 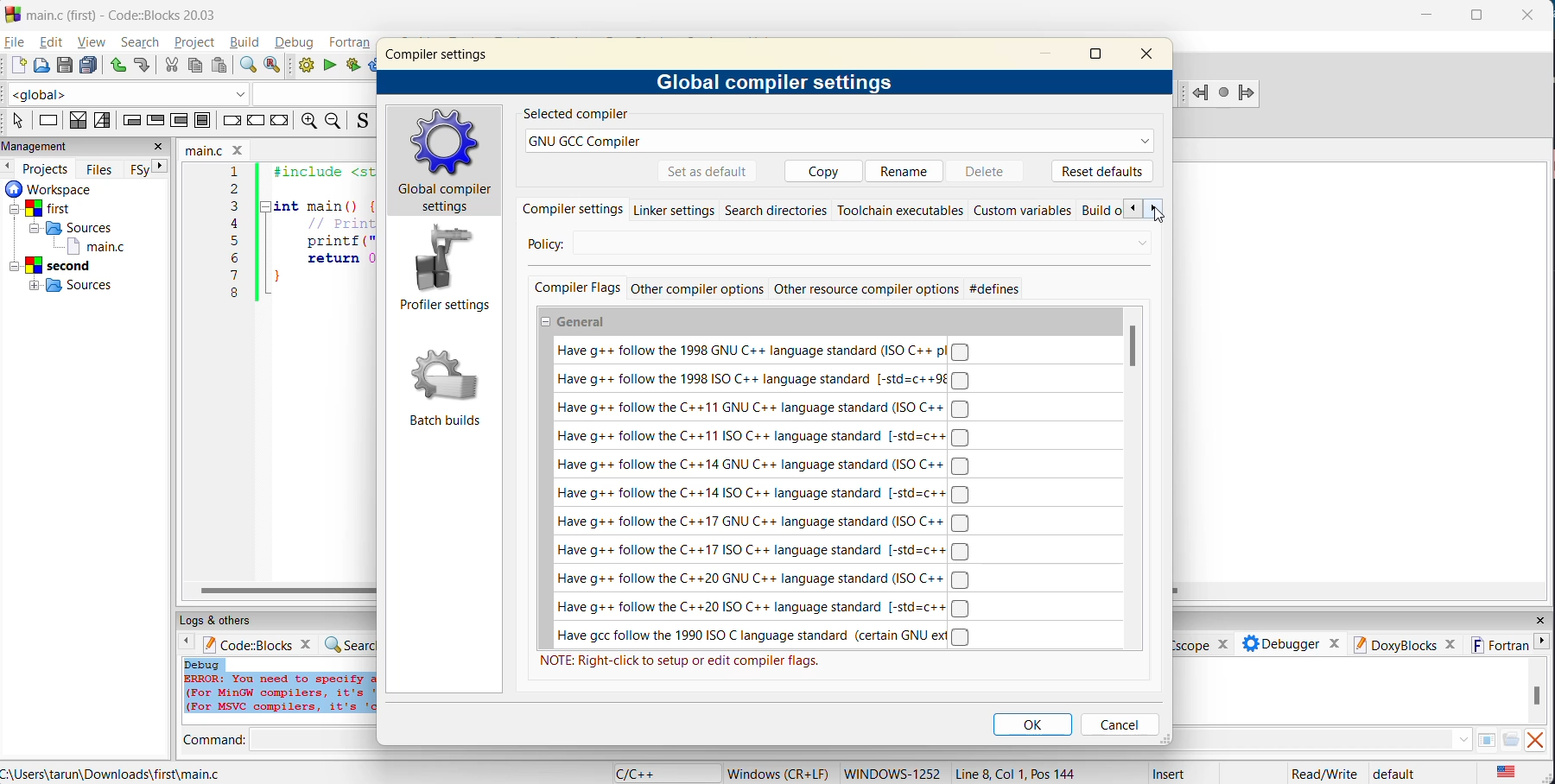 I want to click on selection, so click(x=101, y=121).